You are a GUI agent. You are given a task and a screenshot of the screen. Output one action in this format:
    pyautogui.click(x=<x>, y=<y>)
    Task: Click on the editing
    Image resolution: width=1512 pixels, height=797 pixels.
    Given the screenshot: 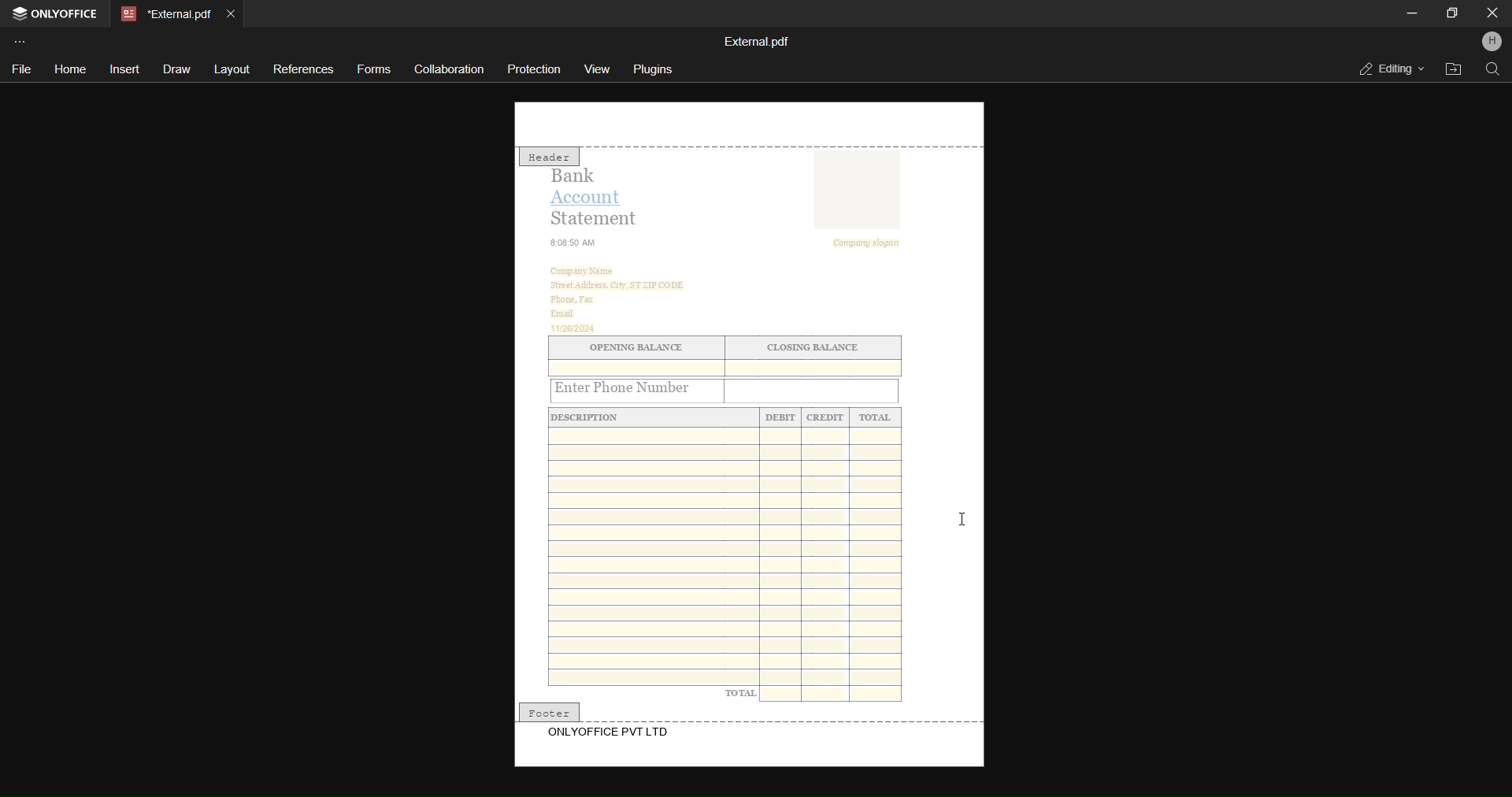 What is the action you would take?
    pyautogui.click(x=1388, y=68)
    